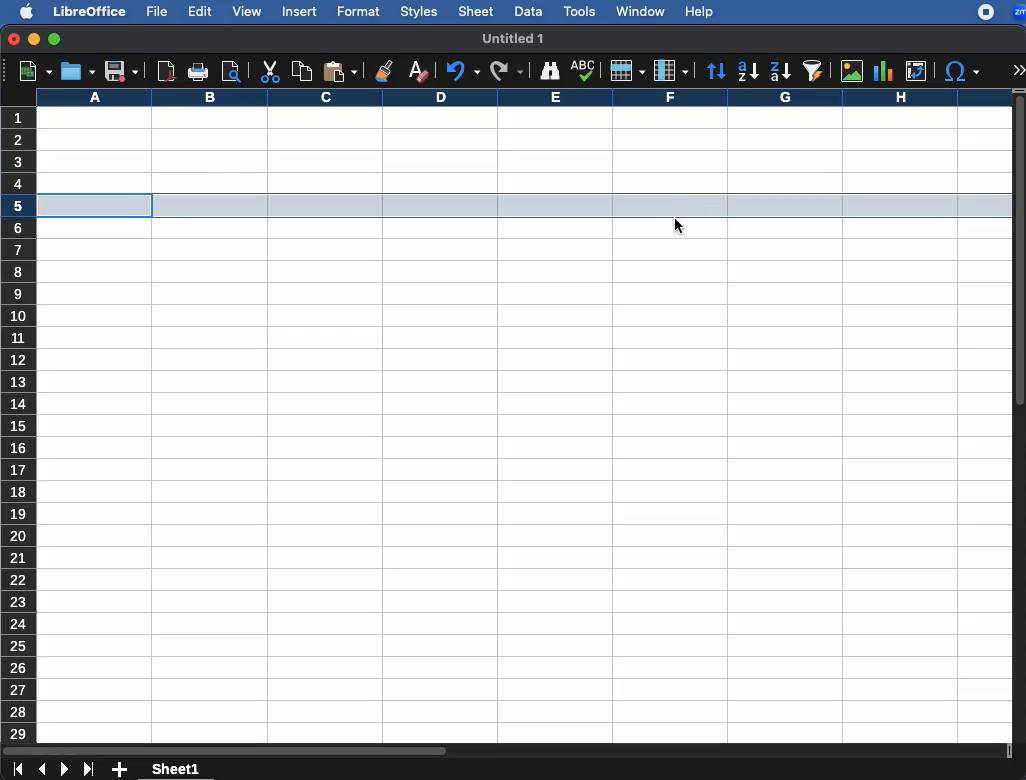  Describe the element at coordinates (528, 11) in the screenshot. I see `data` at that location.